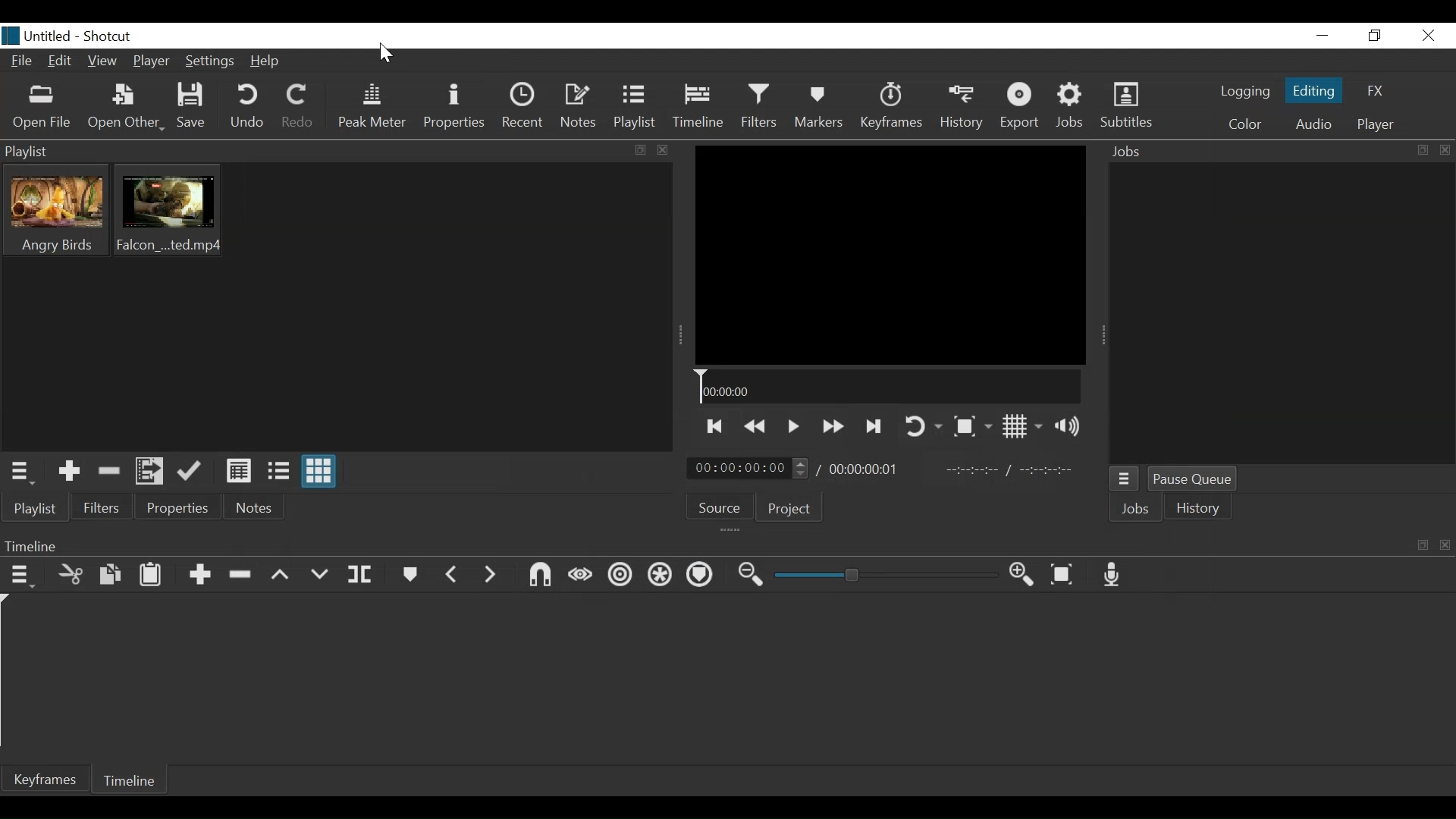  Describe the element at coordinates (247, 108) in the screenshot. I see `Undo` at that location.